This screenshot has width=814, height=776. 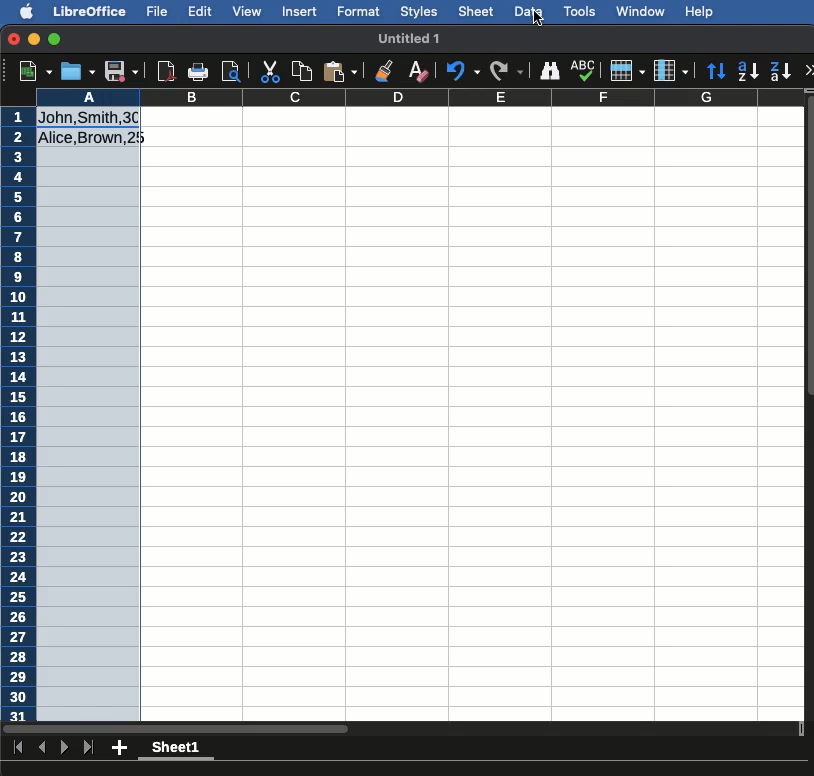 I want to click on Paste, so click(x=342, y=72).